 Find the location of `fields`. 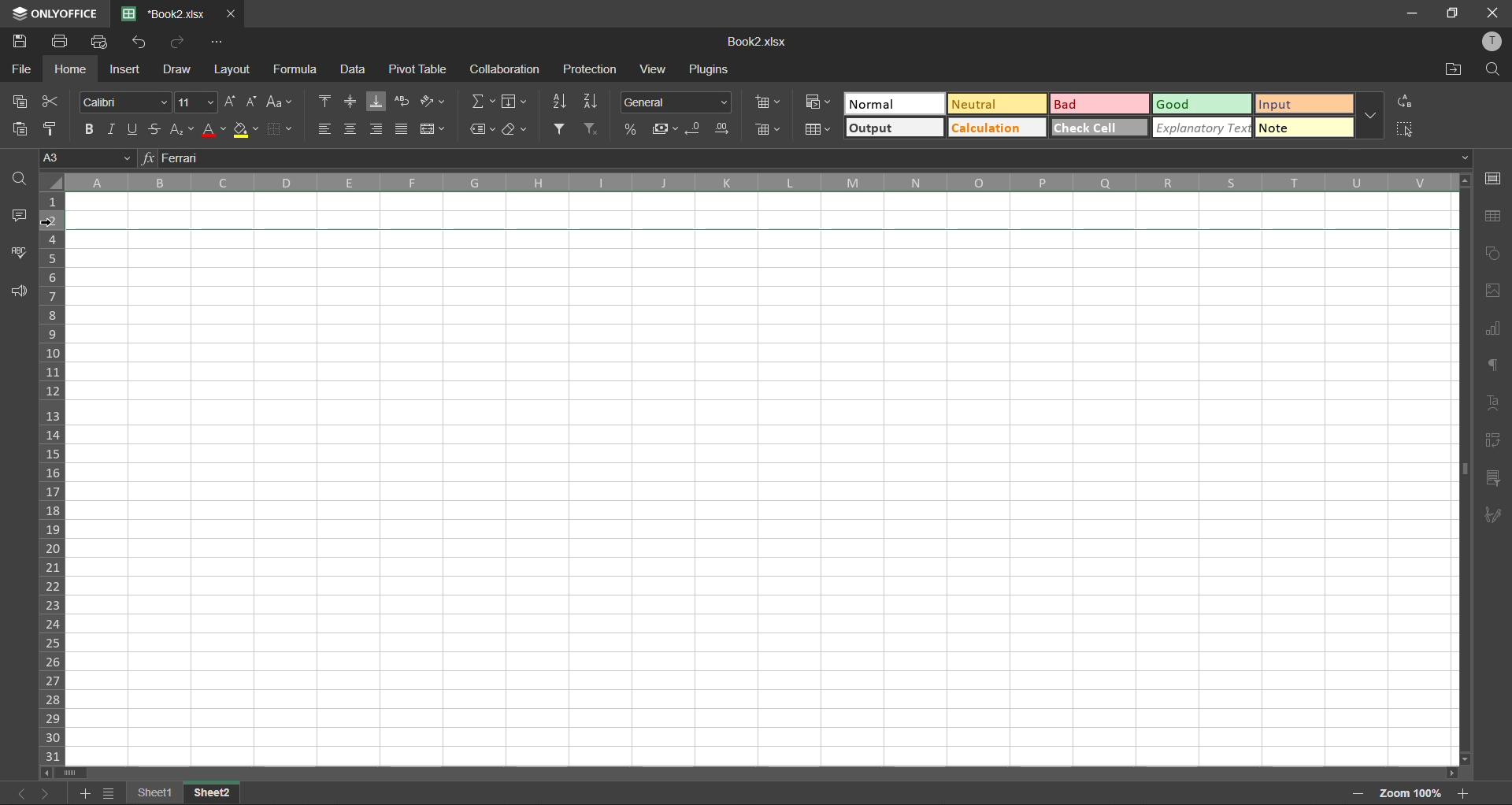

fields is located at coordinates (521, 104).